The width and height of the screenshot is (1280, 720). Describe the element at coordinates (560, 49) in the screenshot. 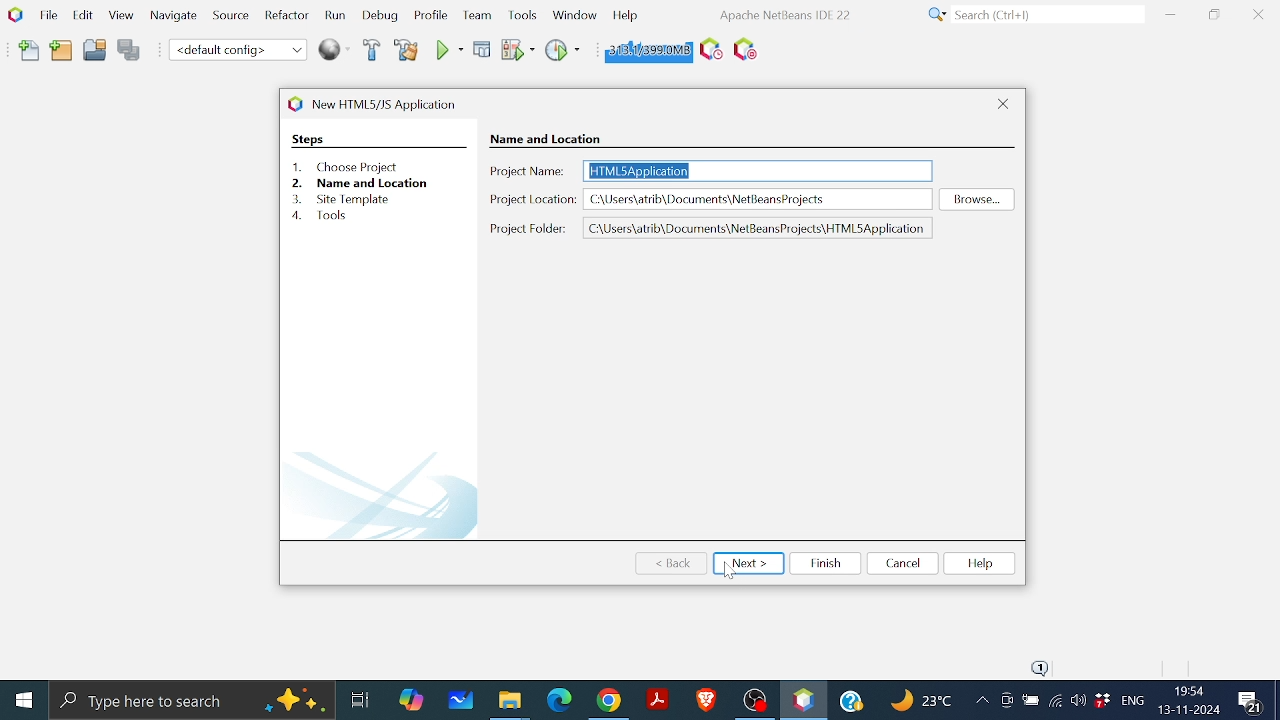

I see `Profile project` at that location.